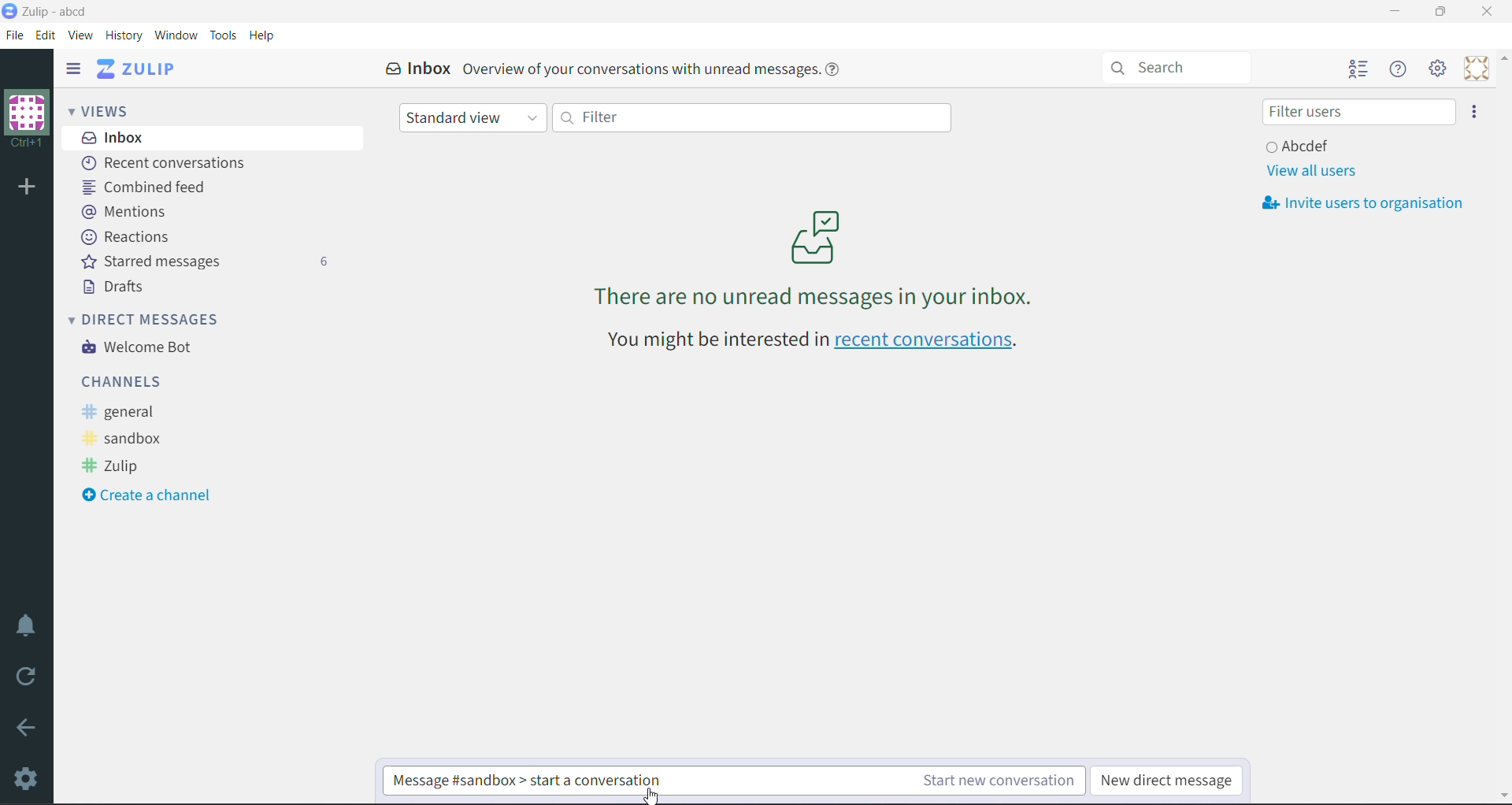 This screenshot has width=1512, height=805. What do you see at coordinates (46, 35) in the screenshot?
I see `Edit` at bounding box center [46, 35].